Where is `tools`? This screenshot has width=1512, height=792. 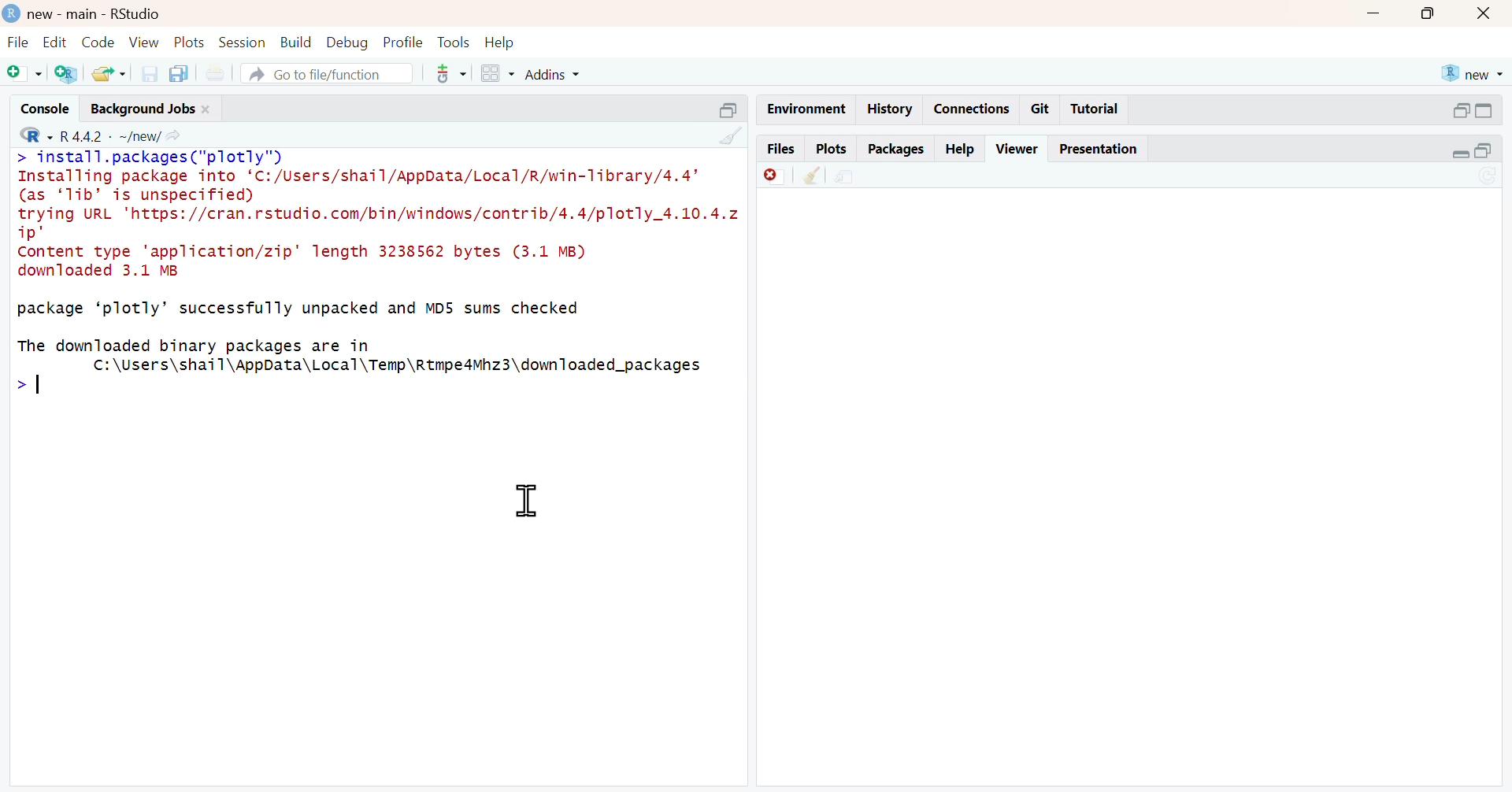 tools is located at coordinates (453, 41).